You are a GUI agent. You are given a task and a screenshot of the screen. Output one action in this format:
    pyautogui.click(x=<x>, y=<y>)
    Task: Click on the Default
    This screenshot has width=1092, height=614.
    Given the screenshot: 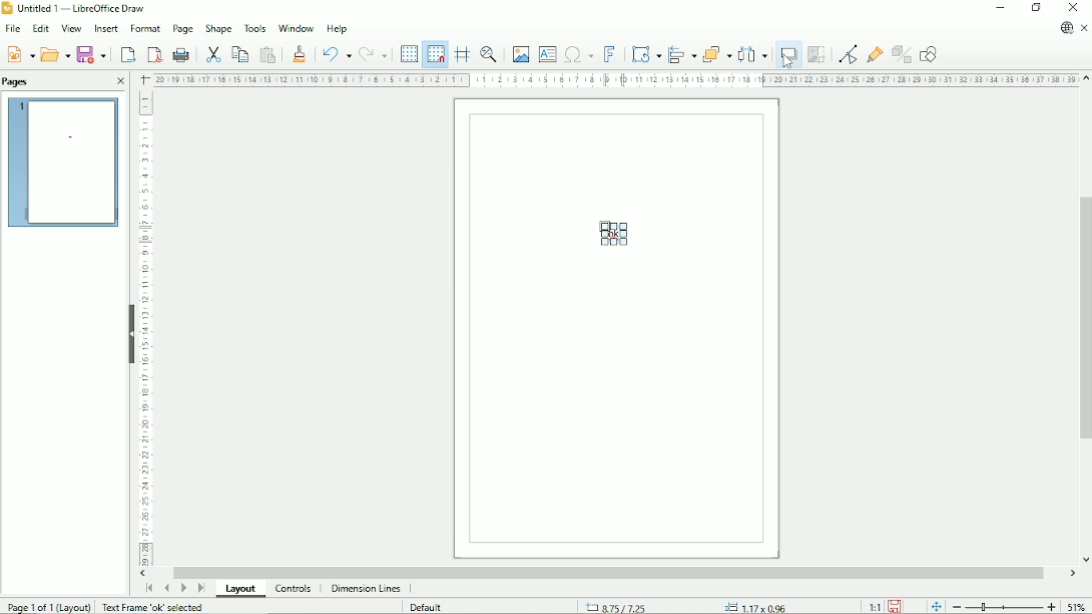 What is the action you would take?
    pyautogui.click(x=429, y=607)
    